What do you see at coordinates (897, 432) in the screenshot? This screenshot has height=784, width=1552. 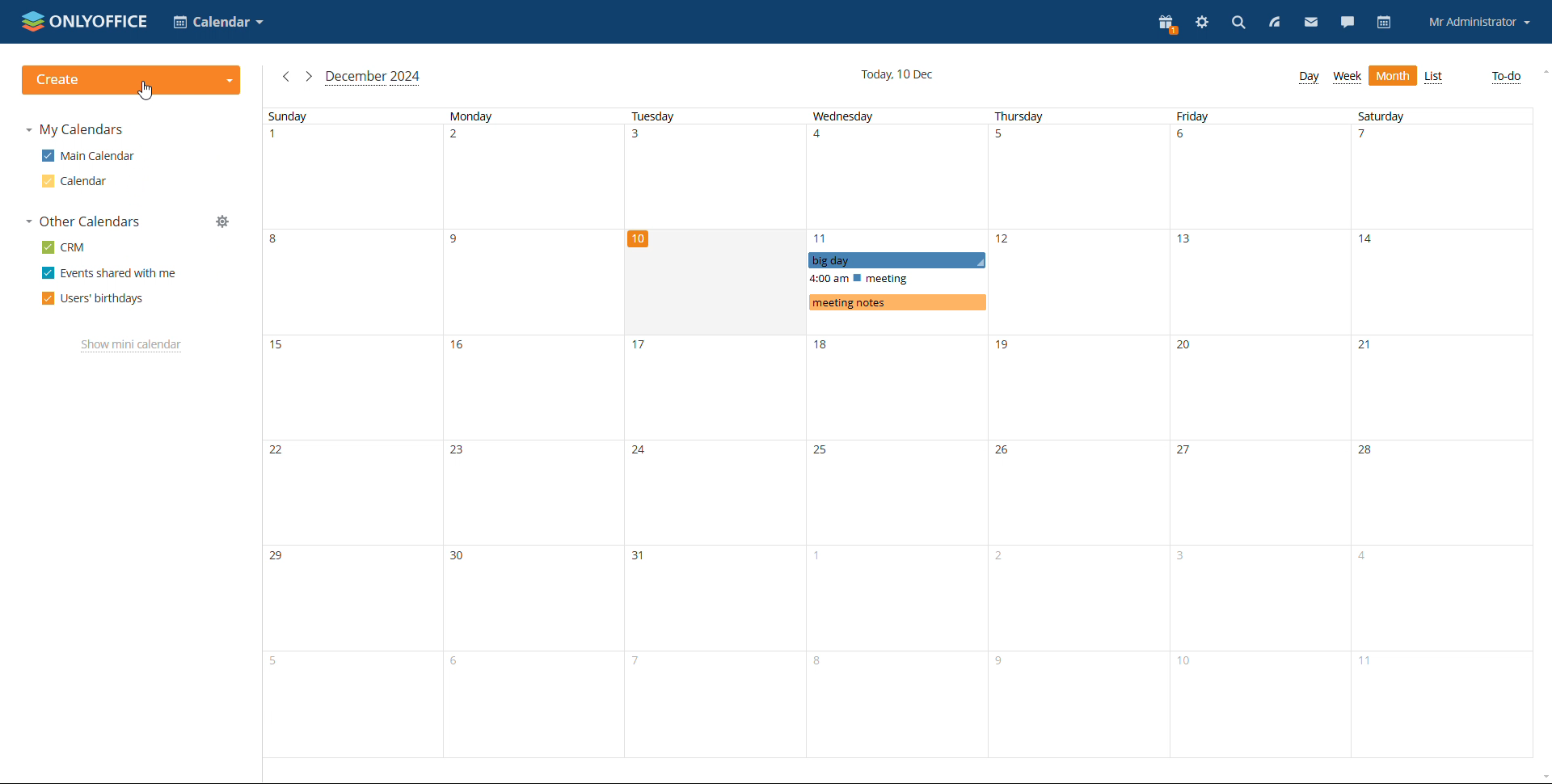 I see `wednesday` at bounding box center [897, 432].